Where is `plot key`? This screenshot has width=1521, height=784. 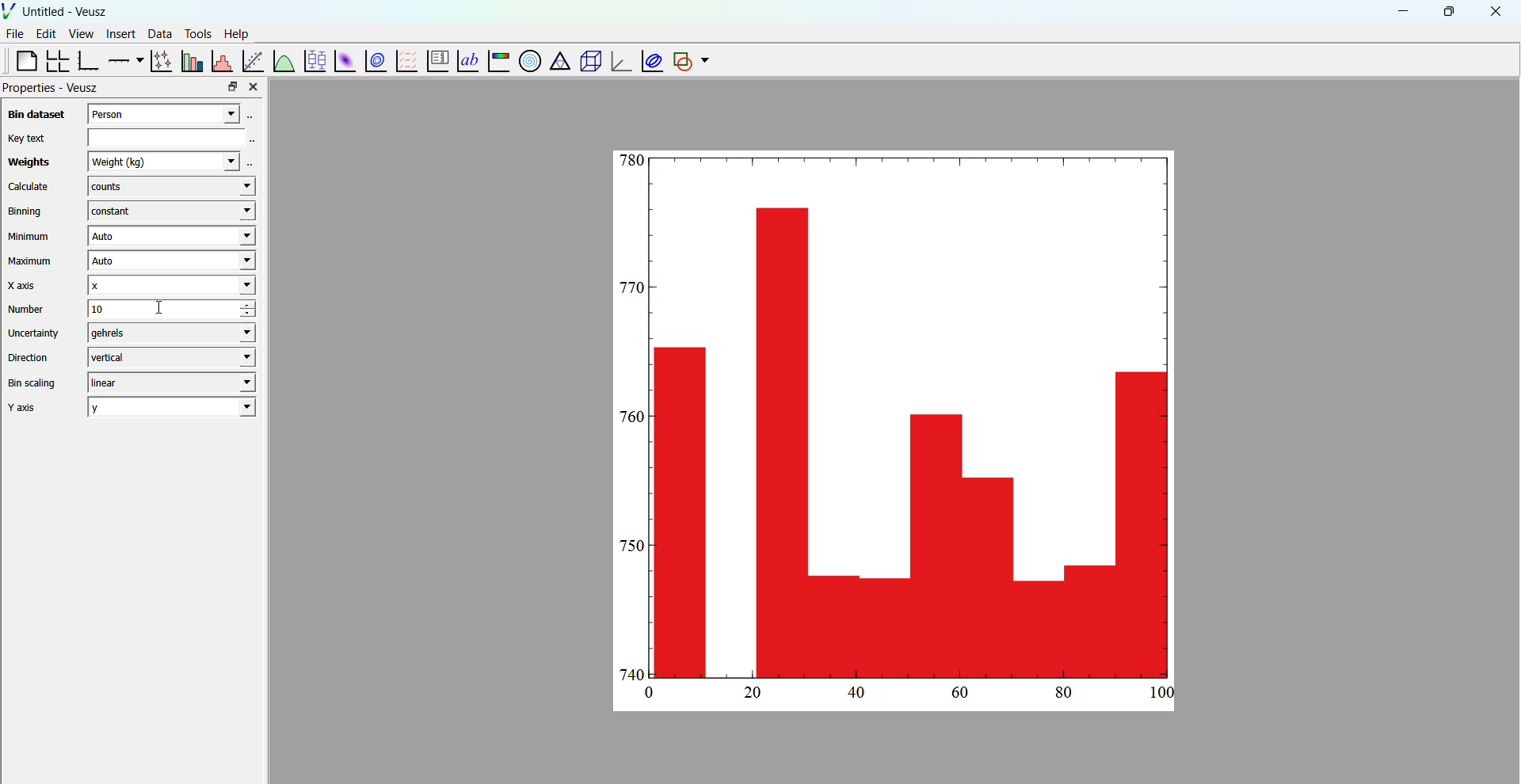 plot key is located at coordinates (435, 62).